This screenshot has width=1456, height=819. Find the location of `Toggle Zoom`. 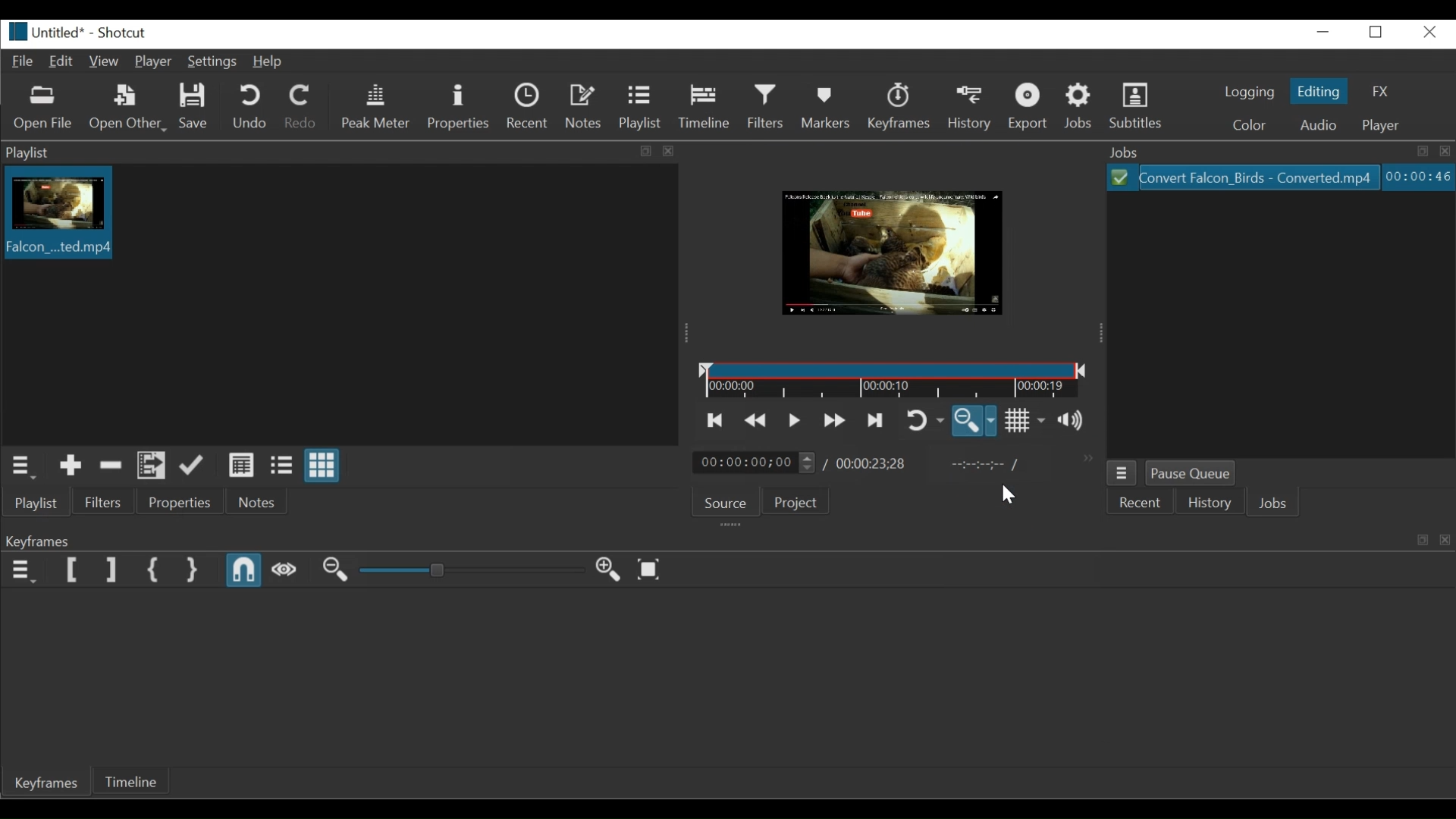

Toggle Zoom is located at coordinates (973, 420).